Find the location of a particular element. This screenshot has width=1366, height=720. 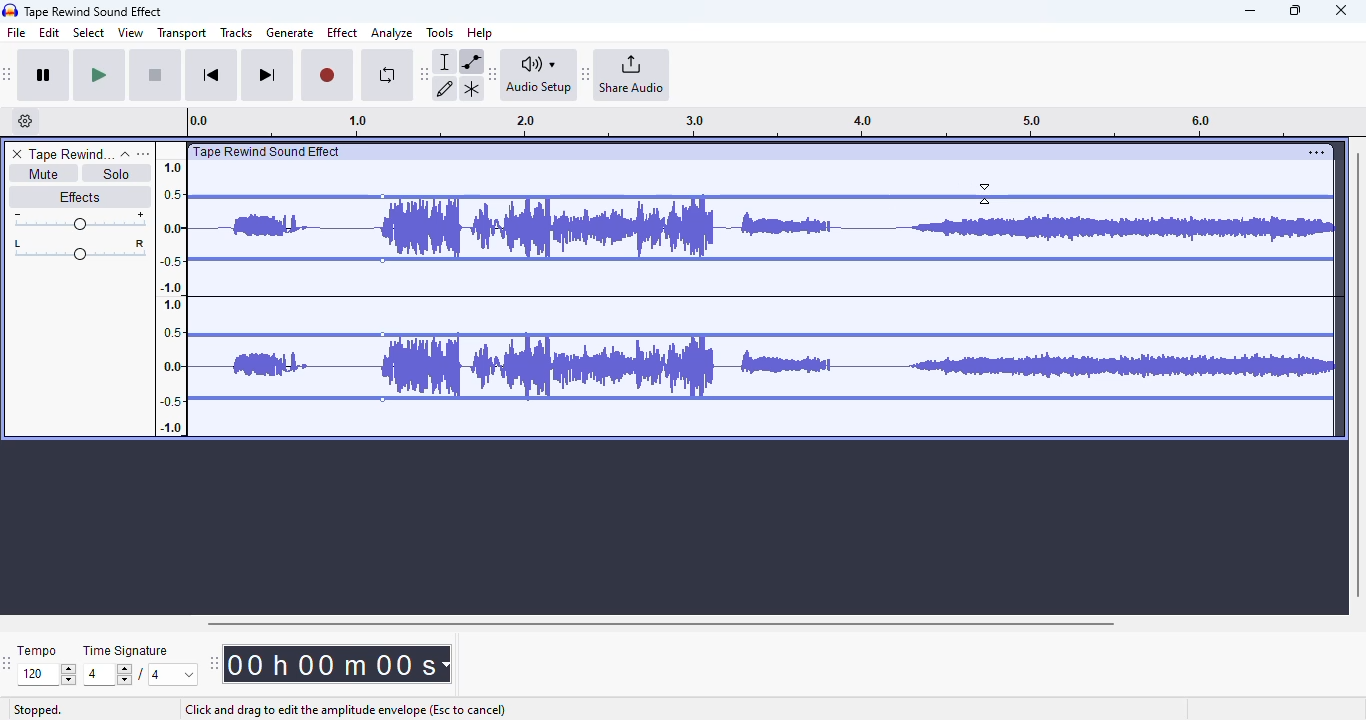

title is located at coordinates (94, 11).